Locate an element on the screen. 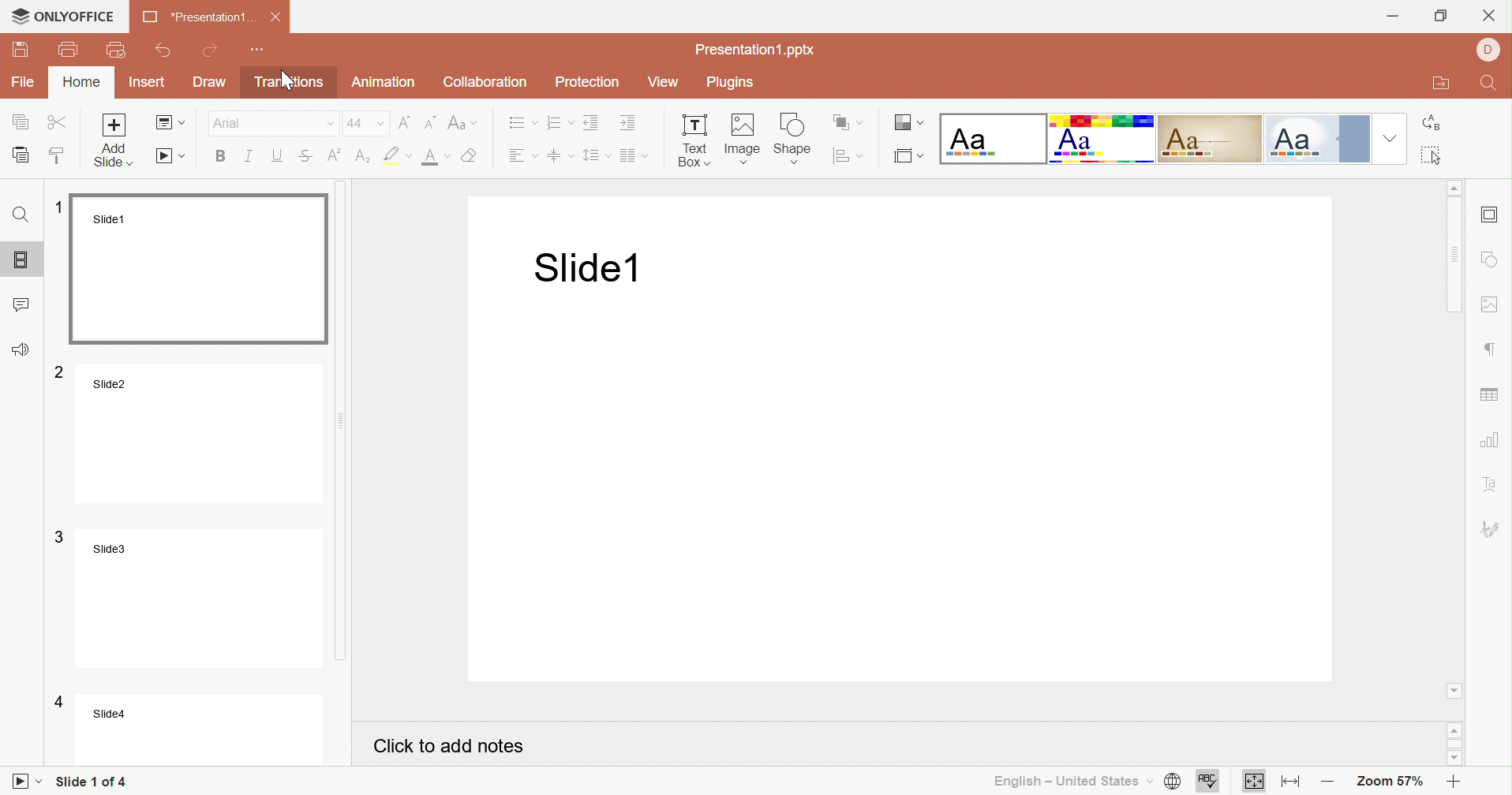  Strikethrough is located at coordinates (311, 159).